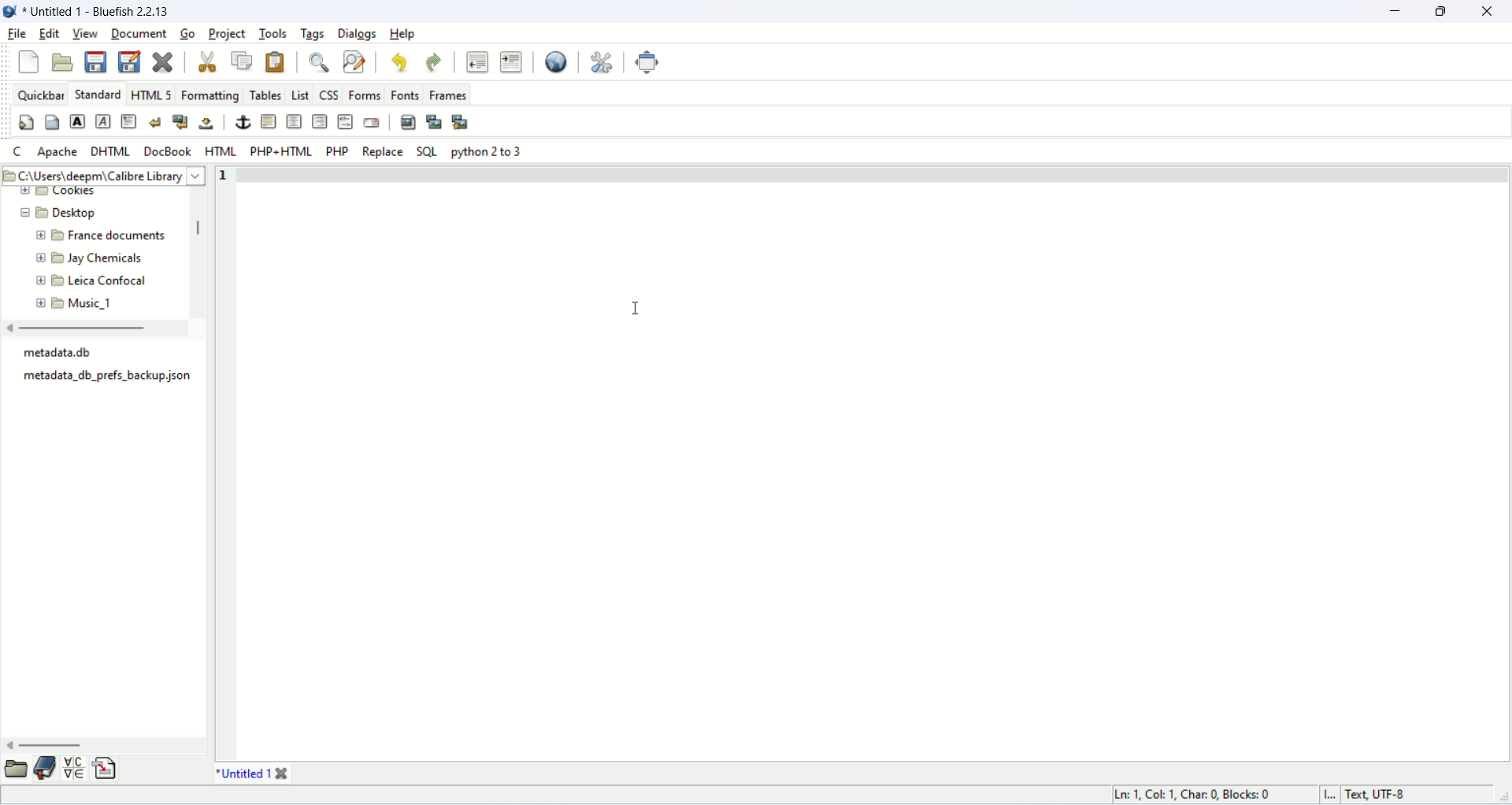 Image resolution: width=1512 pixels, height=805 pixels. What do you see at coordinates (91, 260) in the screenshot?
I see `folder name` at bounding box center [91, 260].